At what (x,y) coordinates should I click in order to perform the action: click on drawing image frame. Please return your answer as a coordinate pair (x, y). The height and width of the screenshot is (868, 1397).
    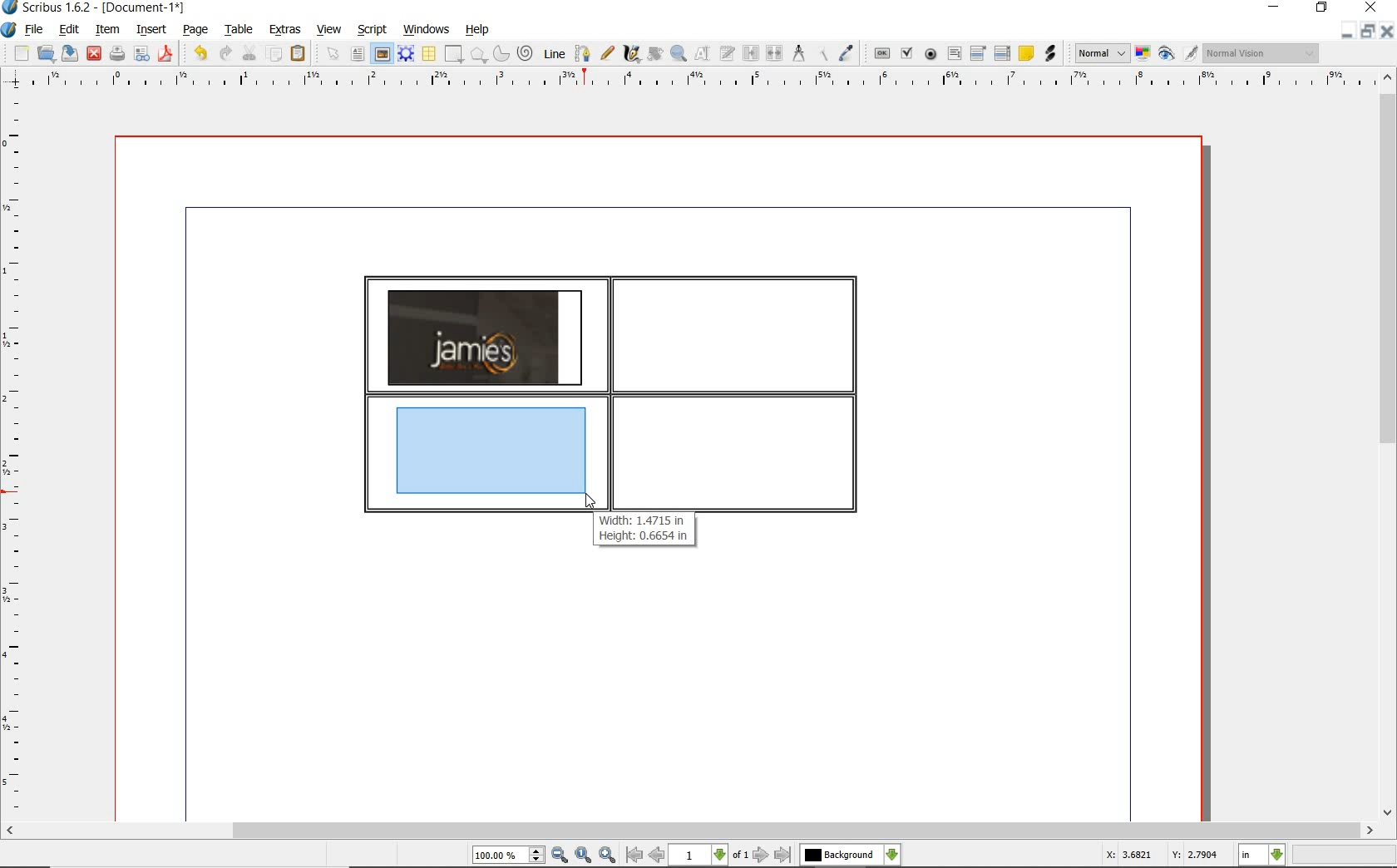
    Looking at the image, I should click on (496, 454).